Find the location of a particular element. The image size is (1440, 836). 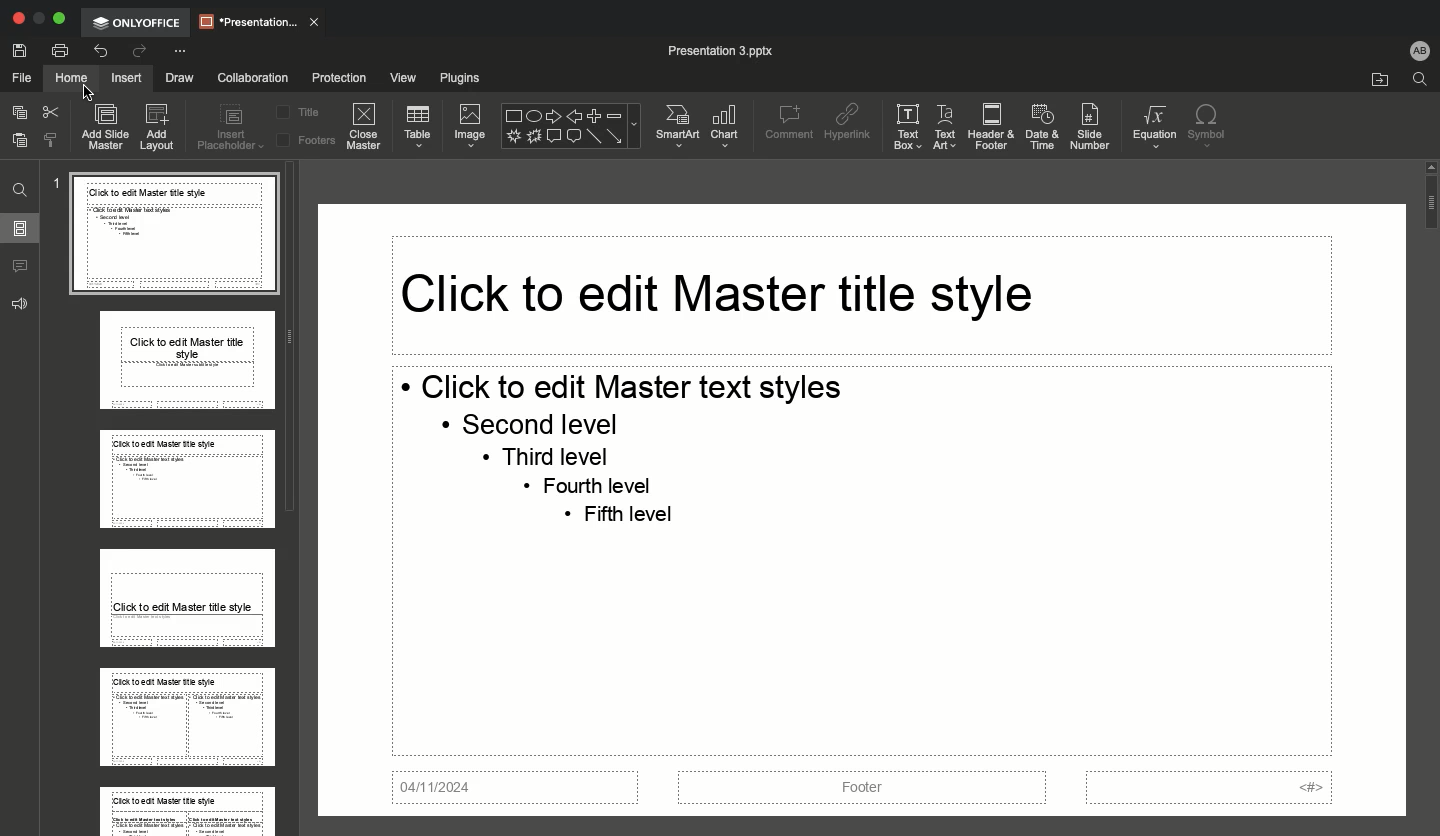

Right arrow is located at coordinates (553, 113).